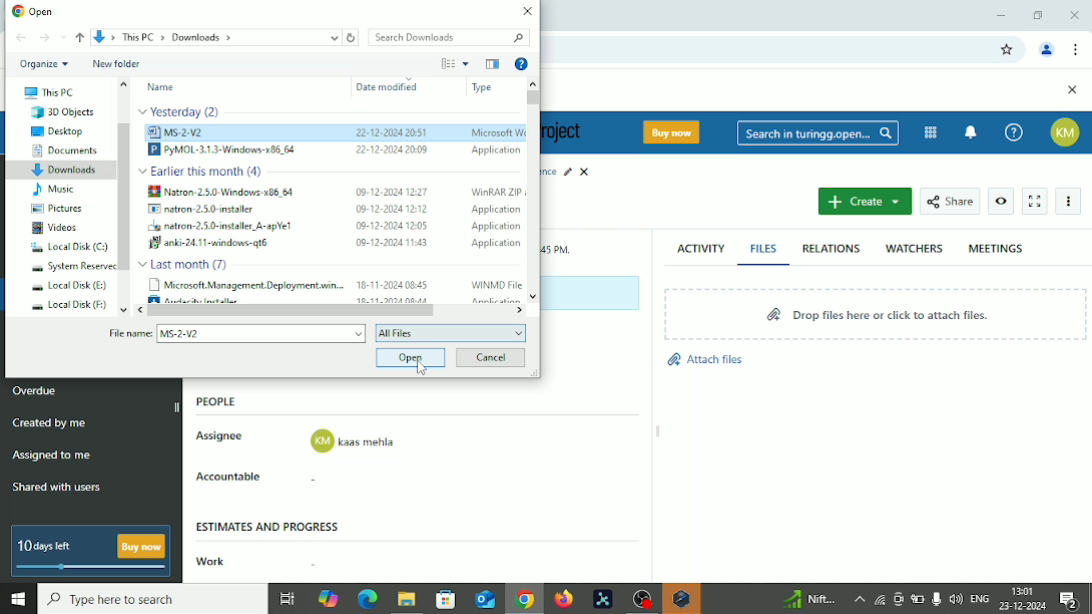 The height and width of the screenshot is (614, 1092). I want to click on Help, so click(1014, 132).